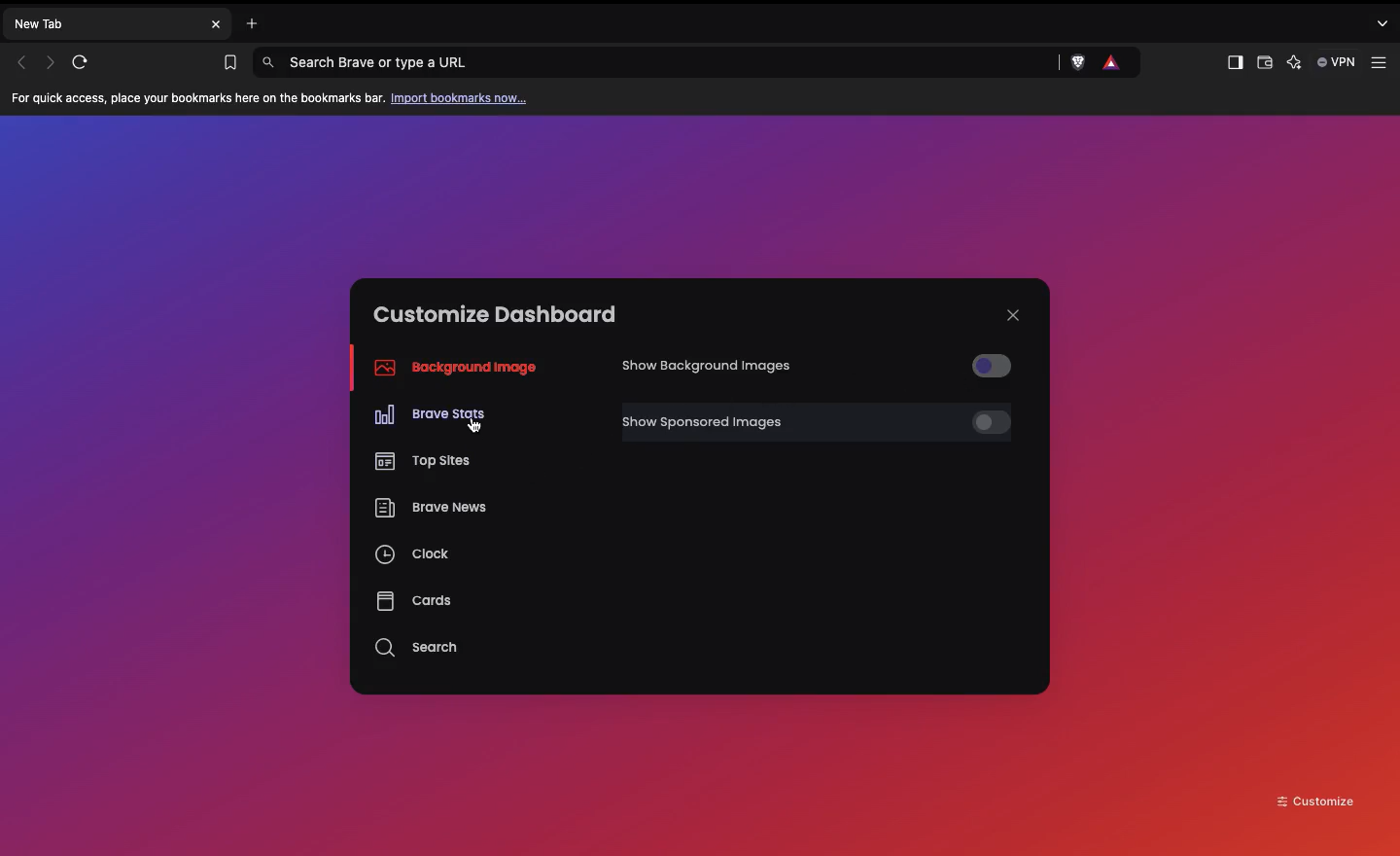 The image size is (1400, 856). Describe the element at coordinates (1293, 64) in the screenshot. I see `Leo AI` at that location.